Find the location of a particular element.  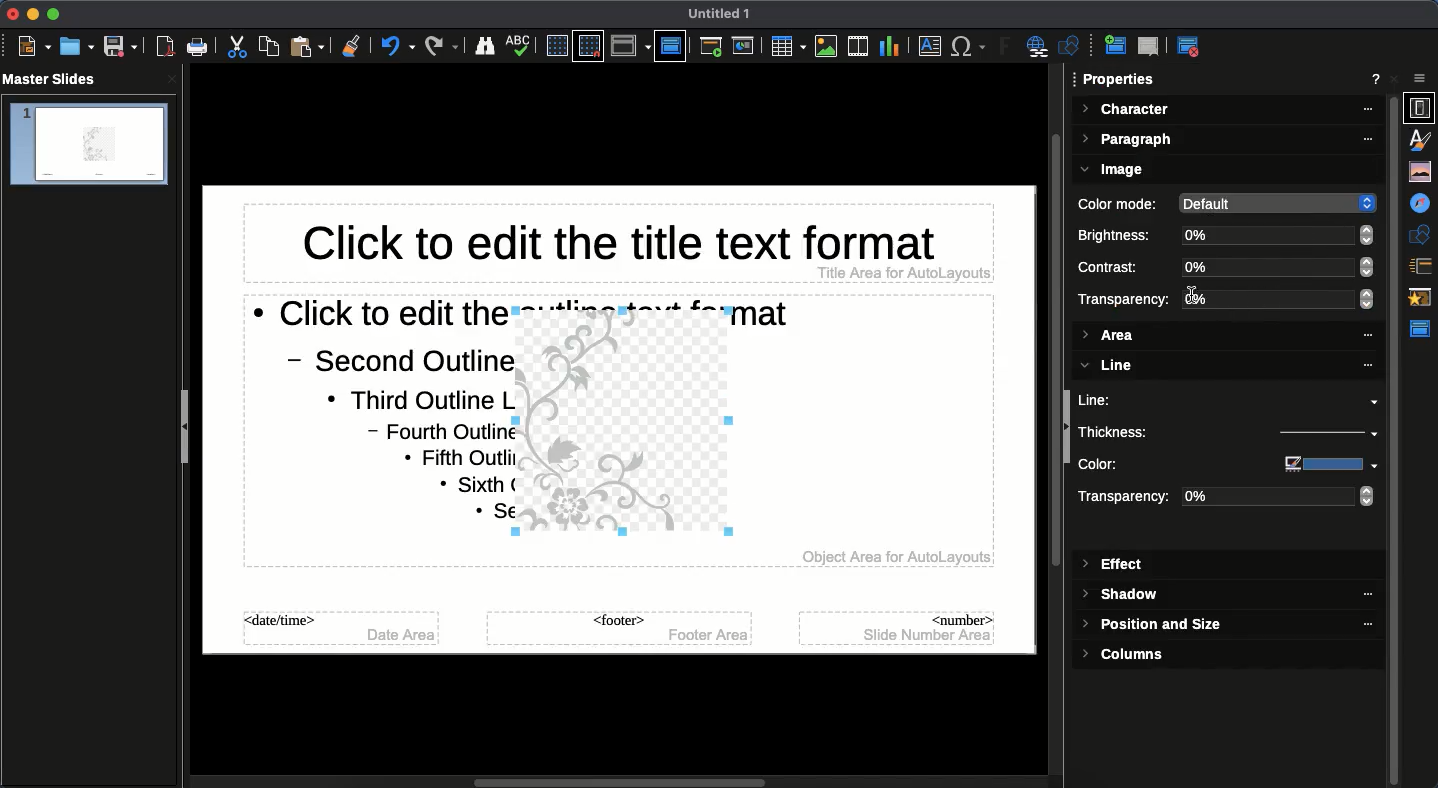

options is located at coordinates (1421, 79).